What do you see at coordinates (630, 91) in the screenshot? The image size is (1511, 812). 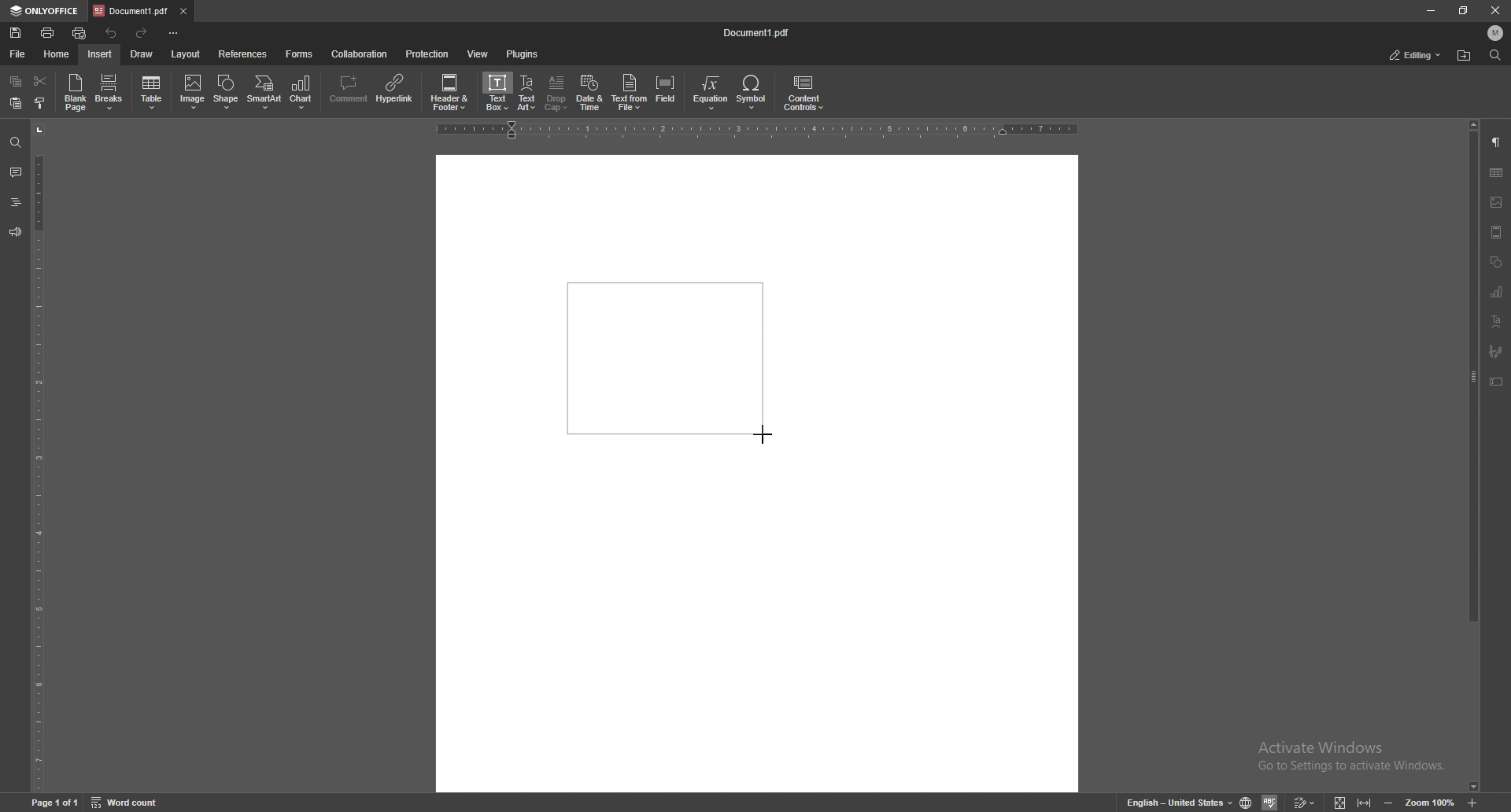 I see `text from file` at bounding box center [630, 91].